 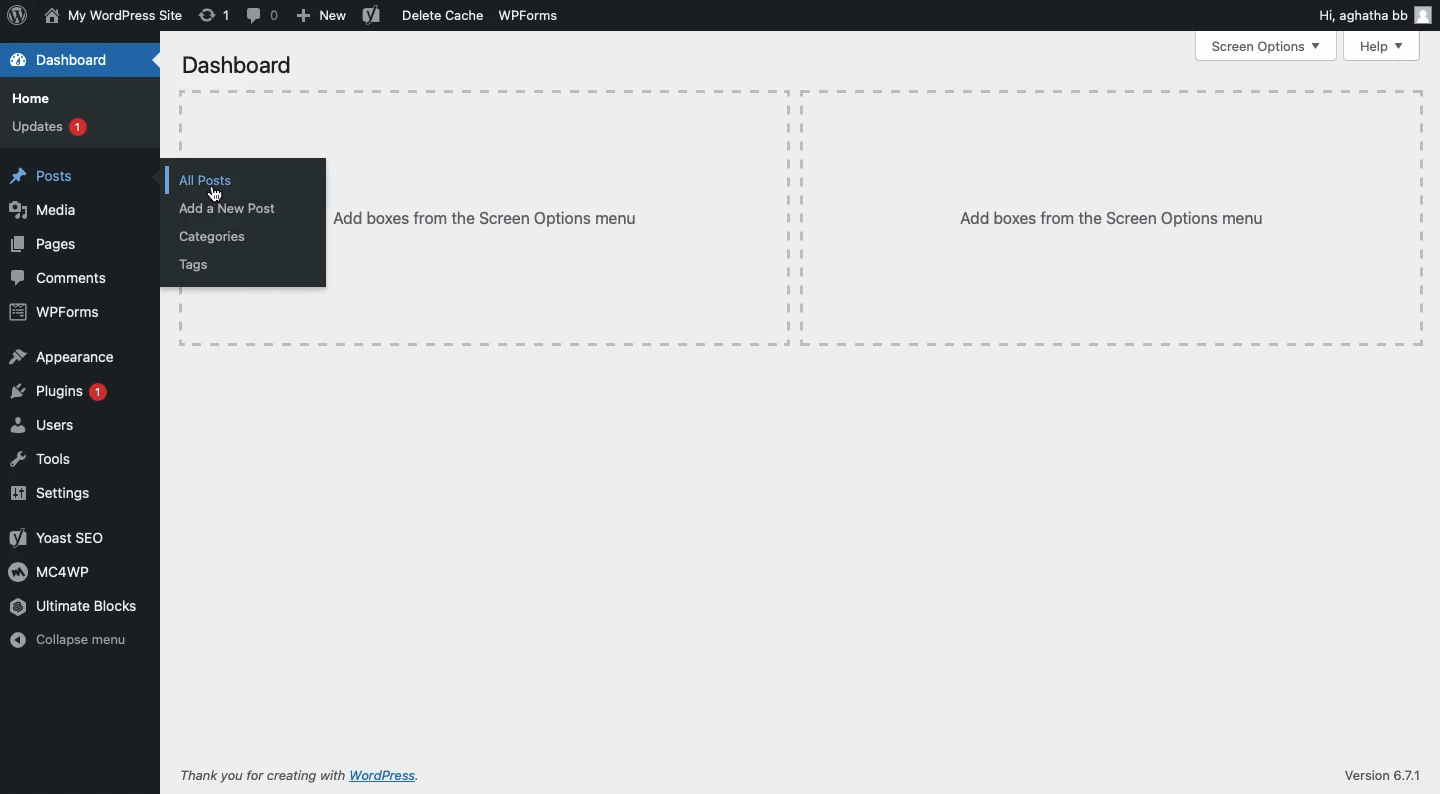 I want to click on Add boxes from the screen options menu, so click(x=873, y=218).